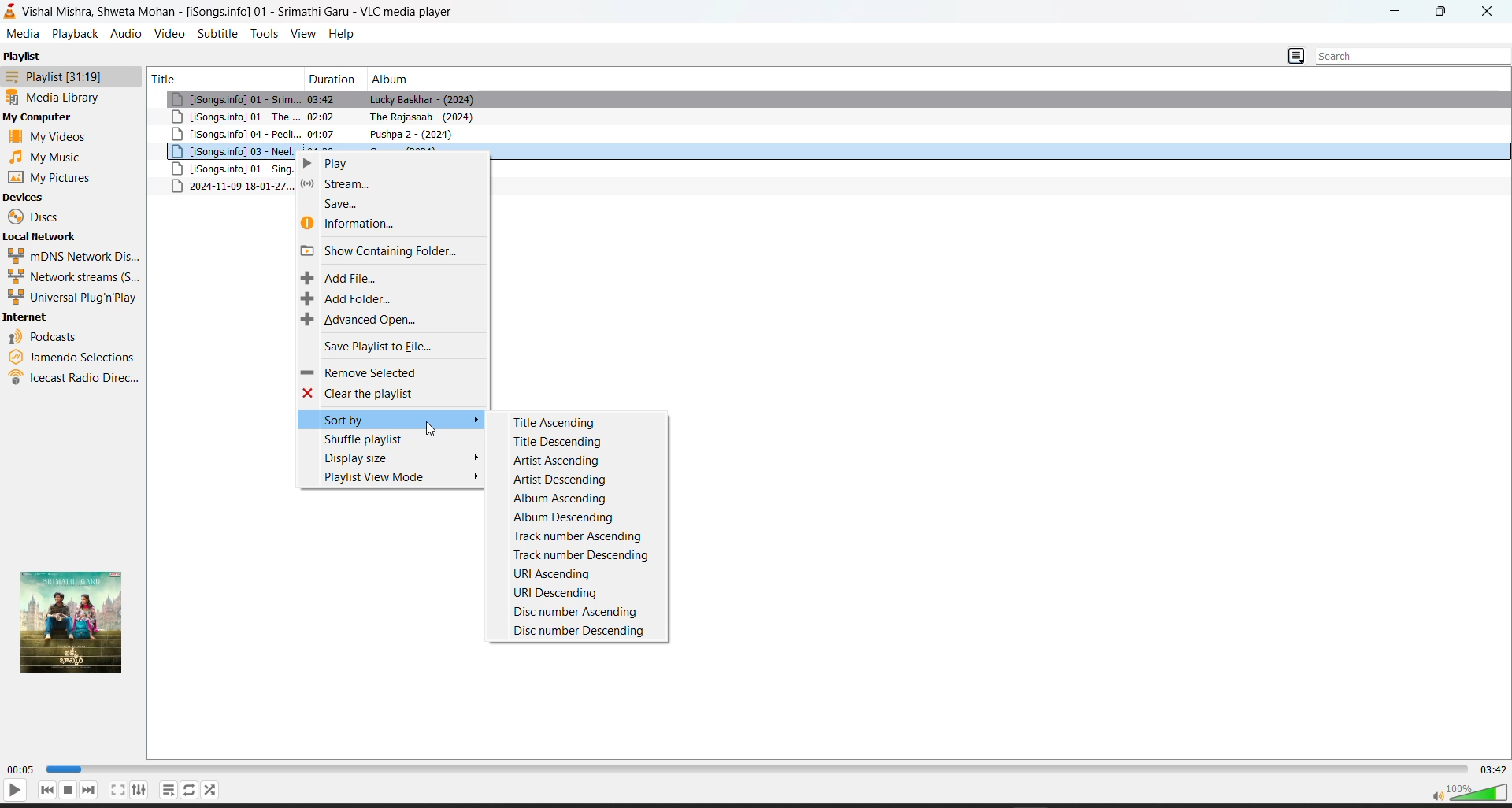  What do you see at coordinates (395, 202) in the screenshot?
I see `save` at bounding box center [395, 202].